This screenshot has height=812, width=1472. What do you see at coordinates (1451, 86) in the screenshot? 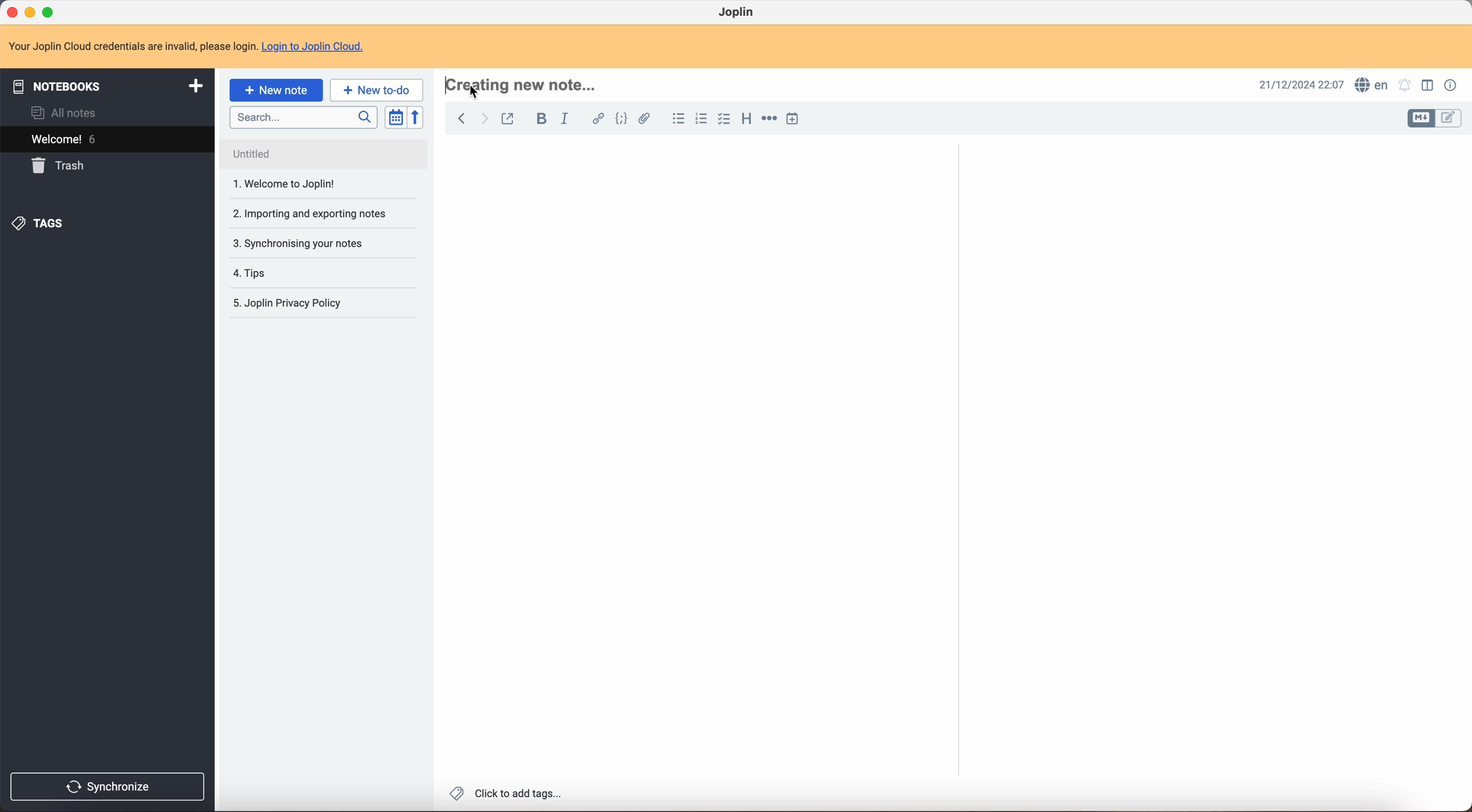
I see `note properties` at bounding box center [1451, 86].